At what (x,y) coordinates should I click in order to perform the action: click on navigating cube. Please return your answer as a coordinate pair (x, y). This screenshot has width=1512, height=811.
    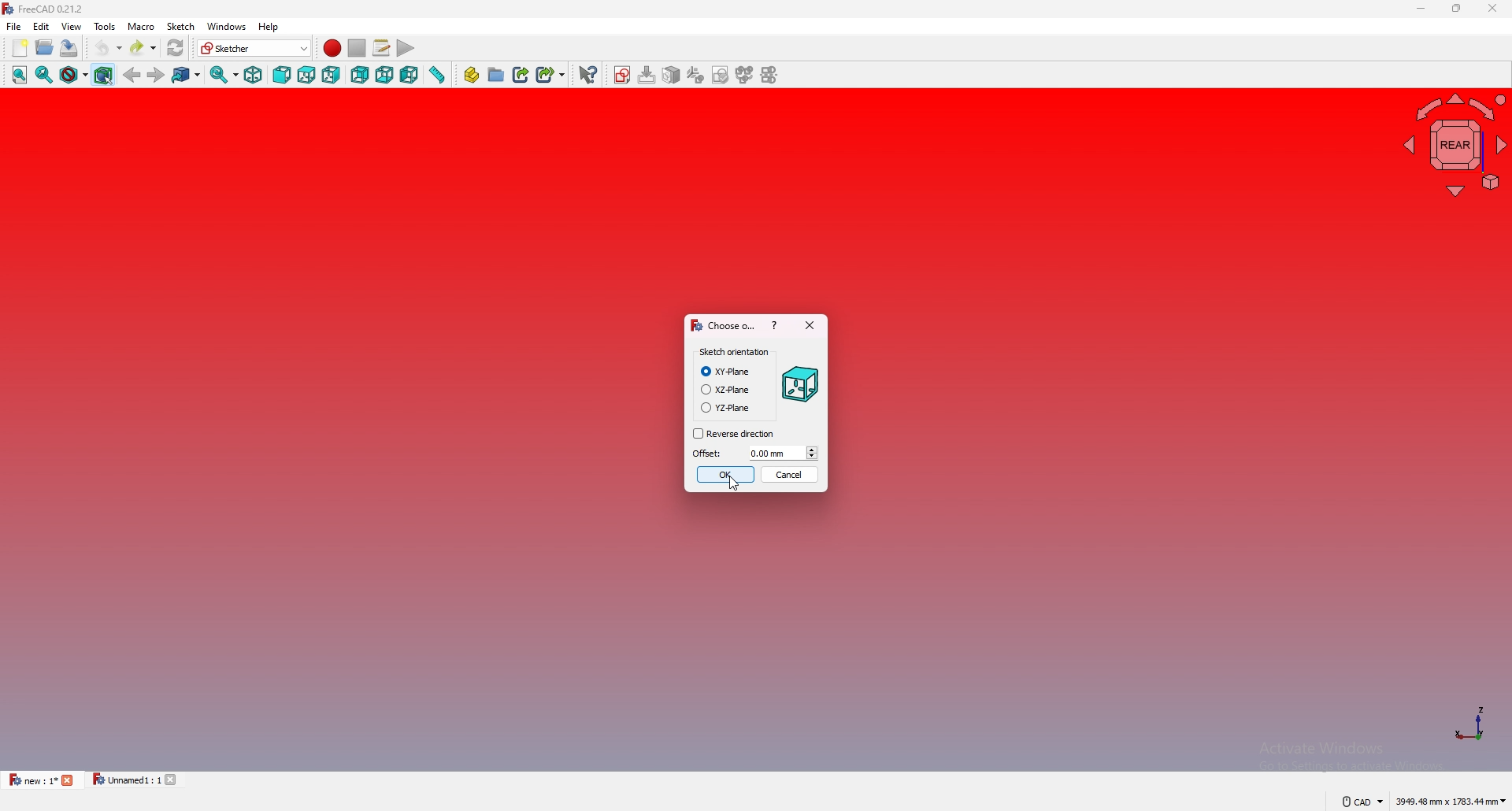
    Looking at the image, I should click on (1451, 145).